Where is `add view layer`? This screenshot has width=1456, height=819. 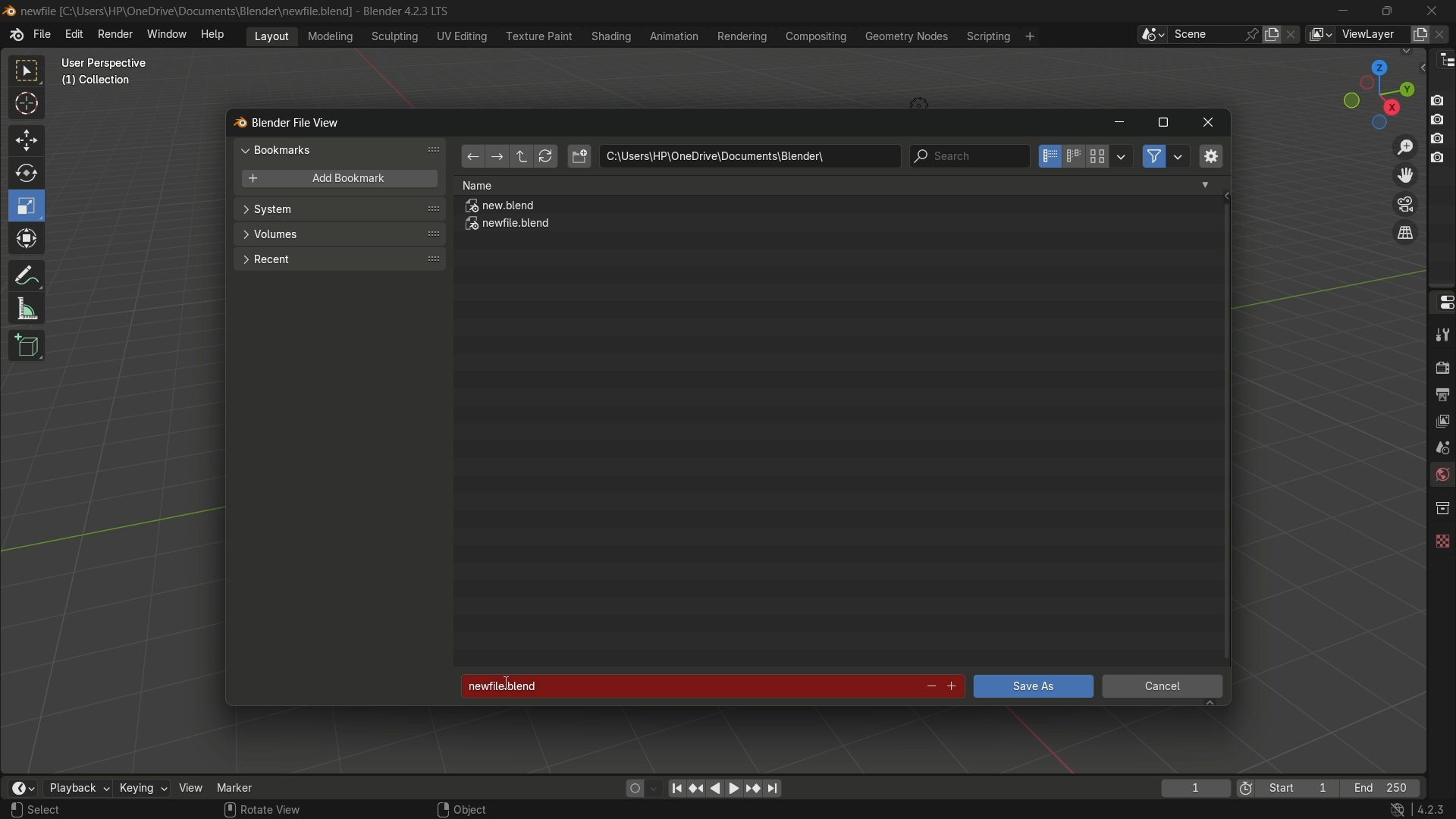 add view layer is located at coordinates (1418, 33).